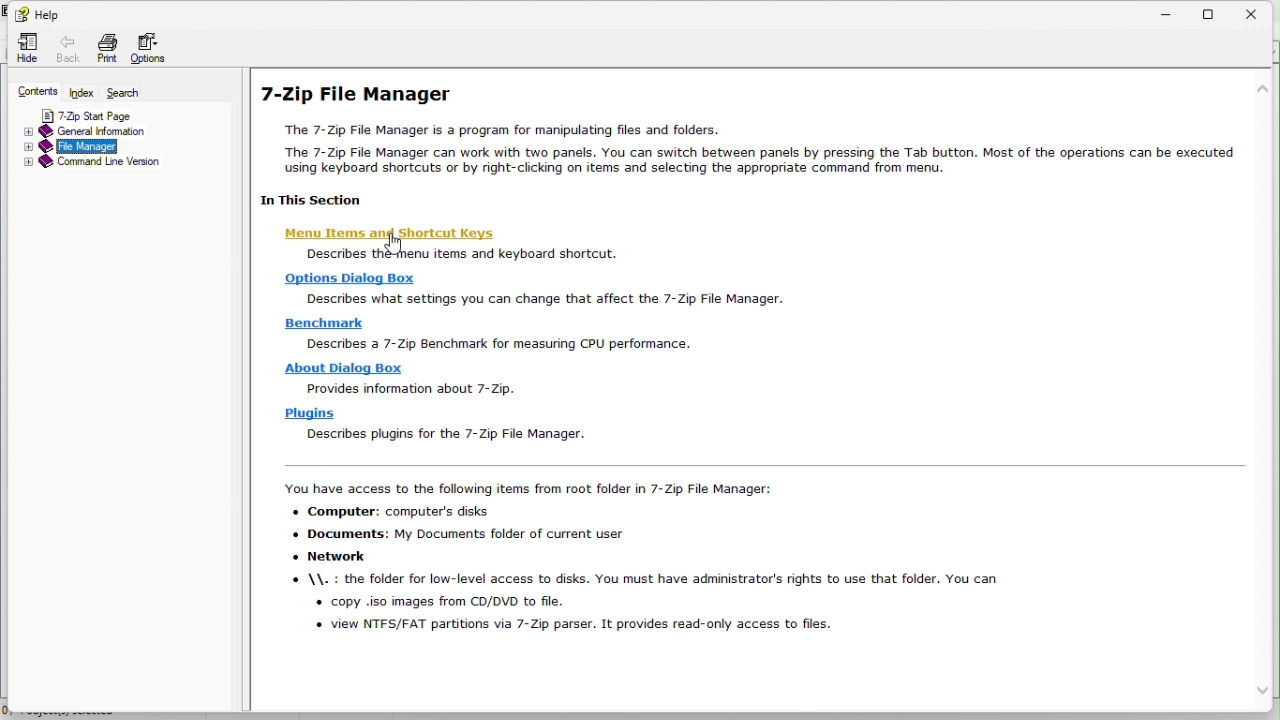 The height and width of the screenshot is (720, 1280). I want to click on describes plugins for the 7-zip File Manager, so click(440, 435).